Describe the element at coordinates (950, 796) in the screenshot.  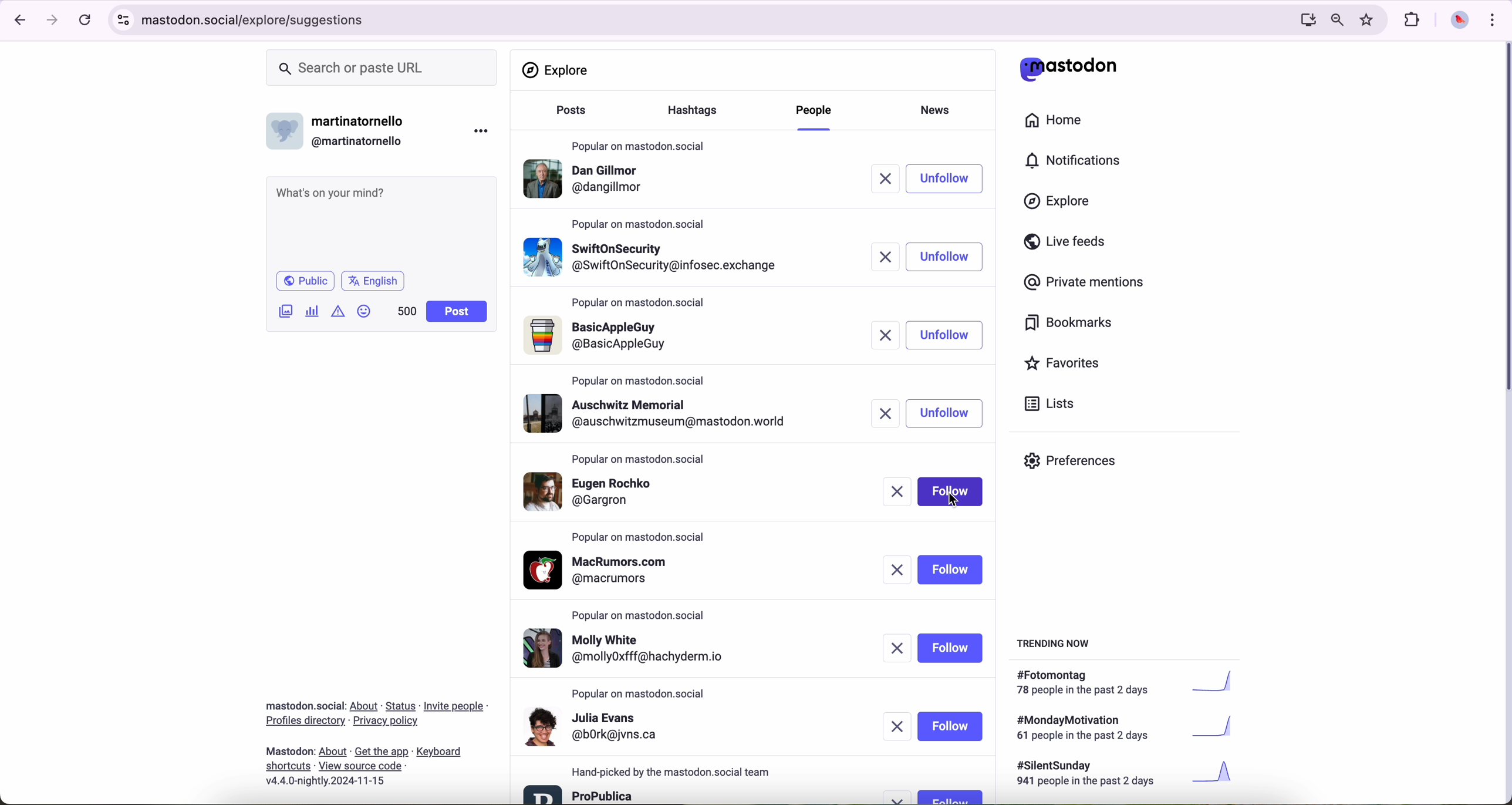
I see `follow button` at that location.